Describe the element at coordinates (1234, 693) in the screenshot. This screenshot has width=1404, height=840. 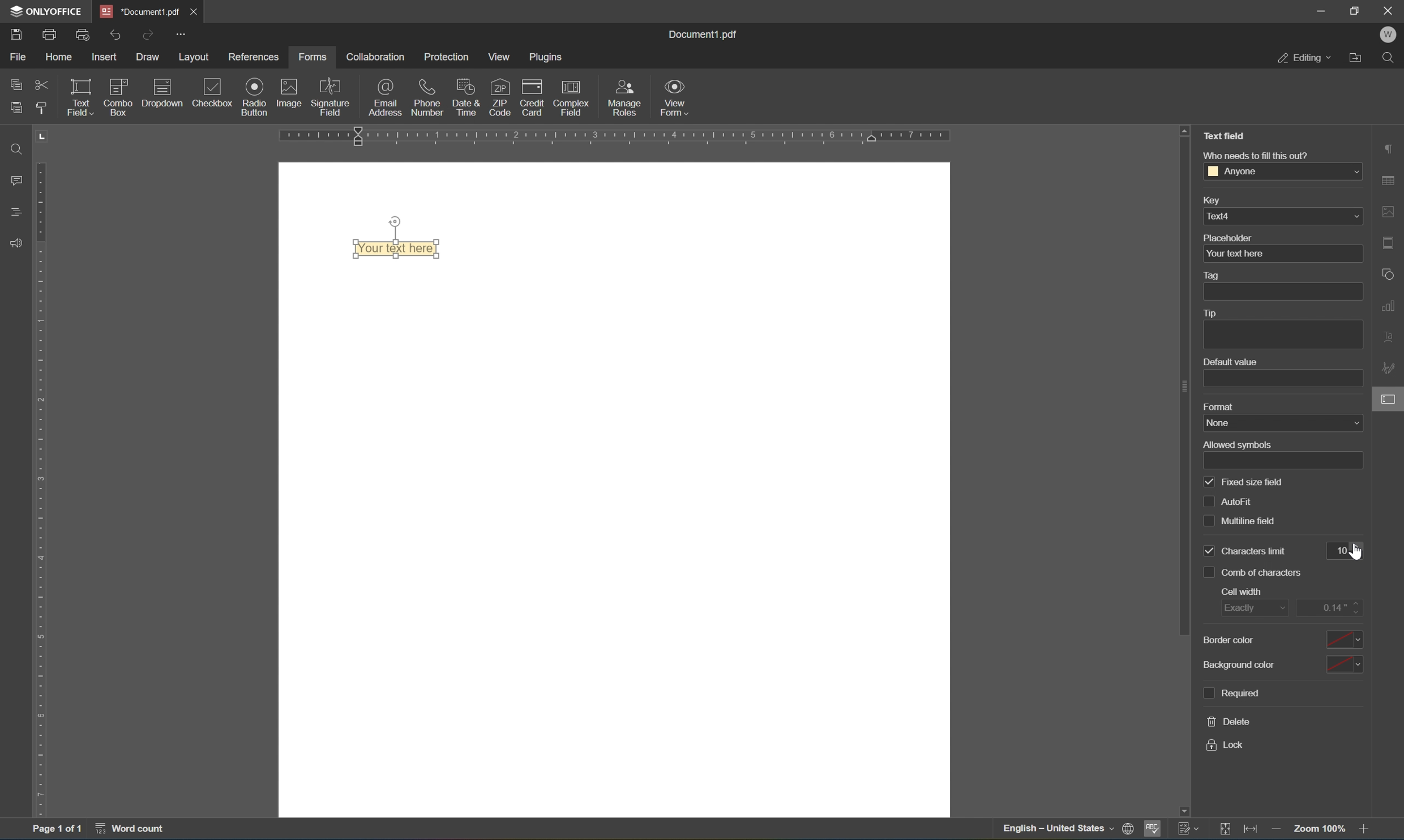
I see `required` at that location.